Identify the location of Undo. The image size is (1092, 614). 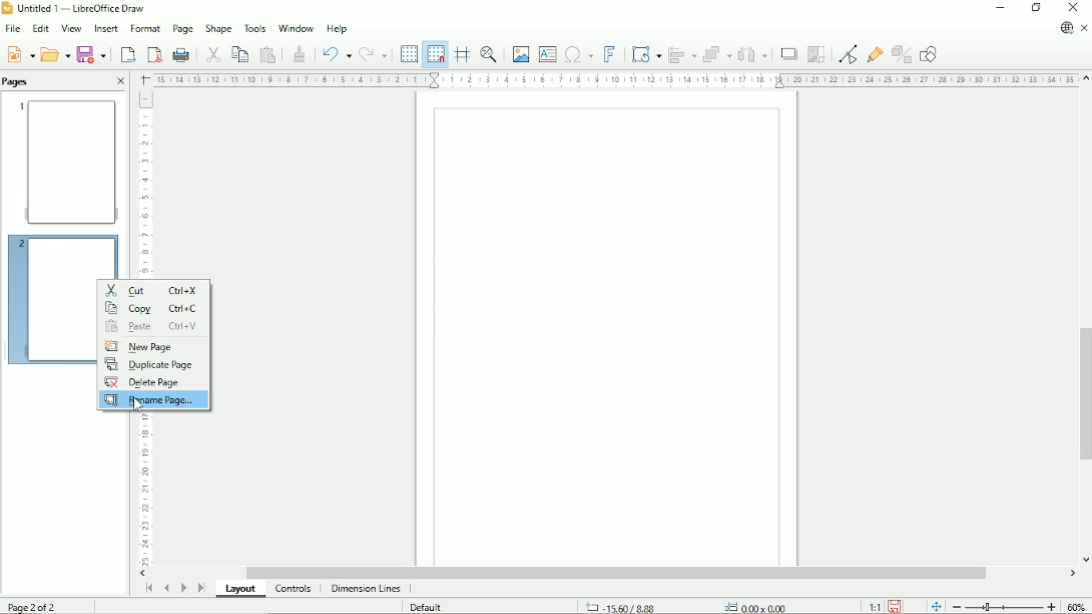
(334, 53).